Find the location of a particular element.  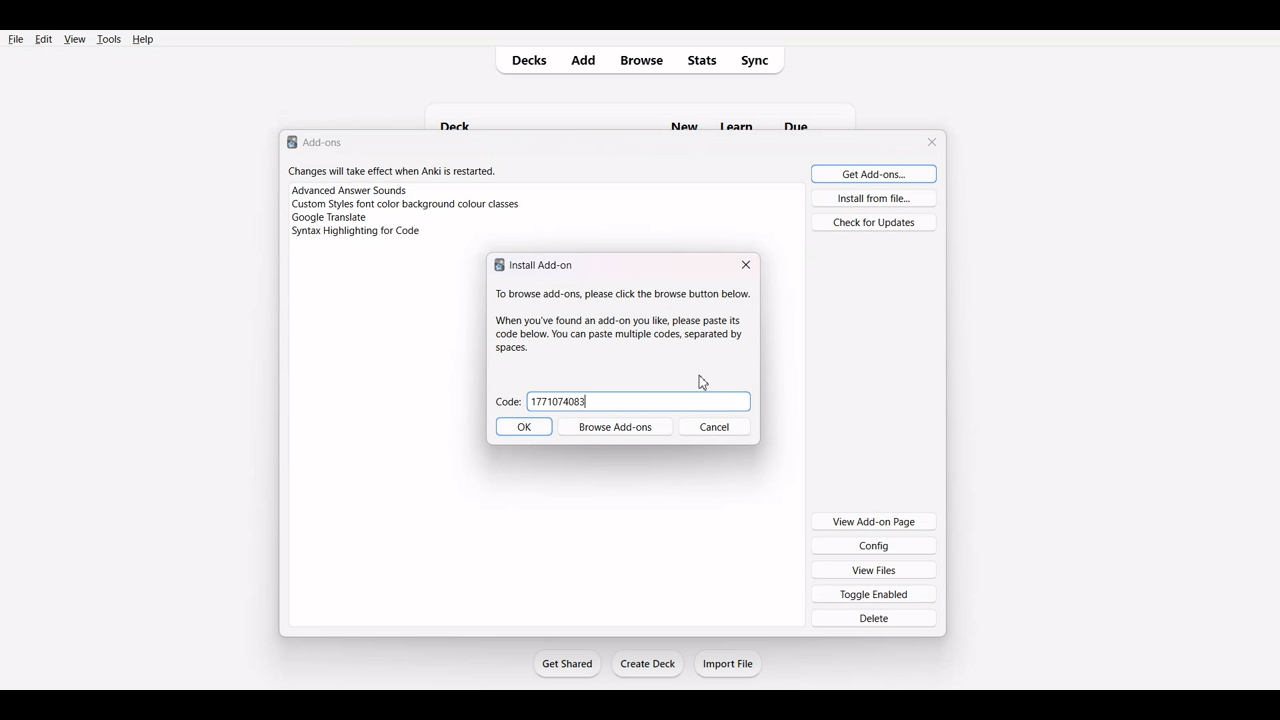

Close is located at coordinates (746, 265).